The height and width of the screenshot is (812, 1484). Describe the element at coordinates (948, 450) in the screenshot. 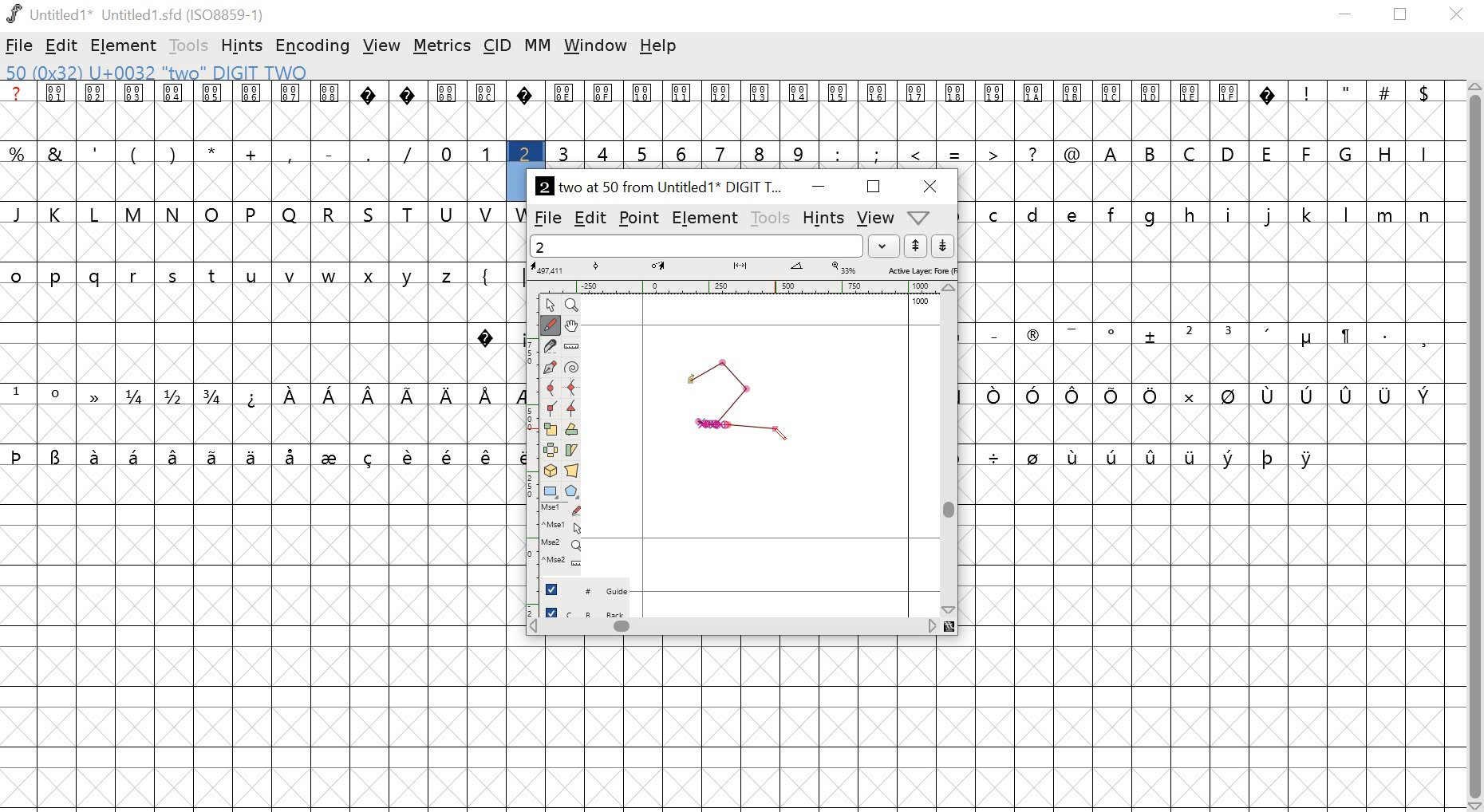

I see `scrollbar` at that location.